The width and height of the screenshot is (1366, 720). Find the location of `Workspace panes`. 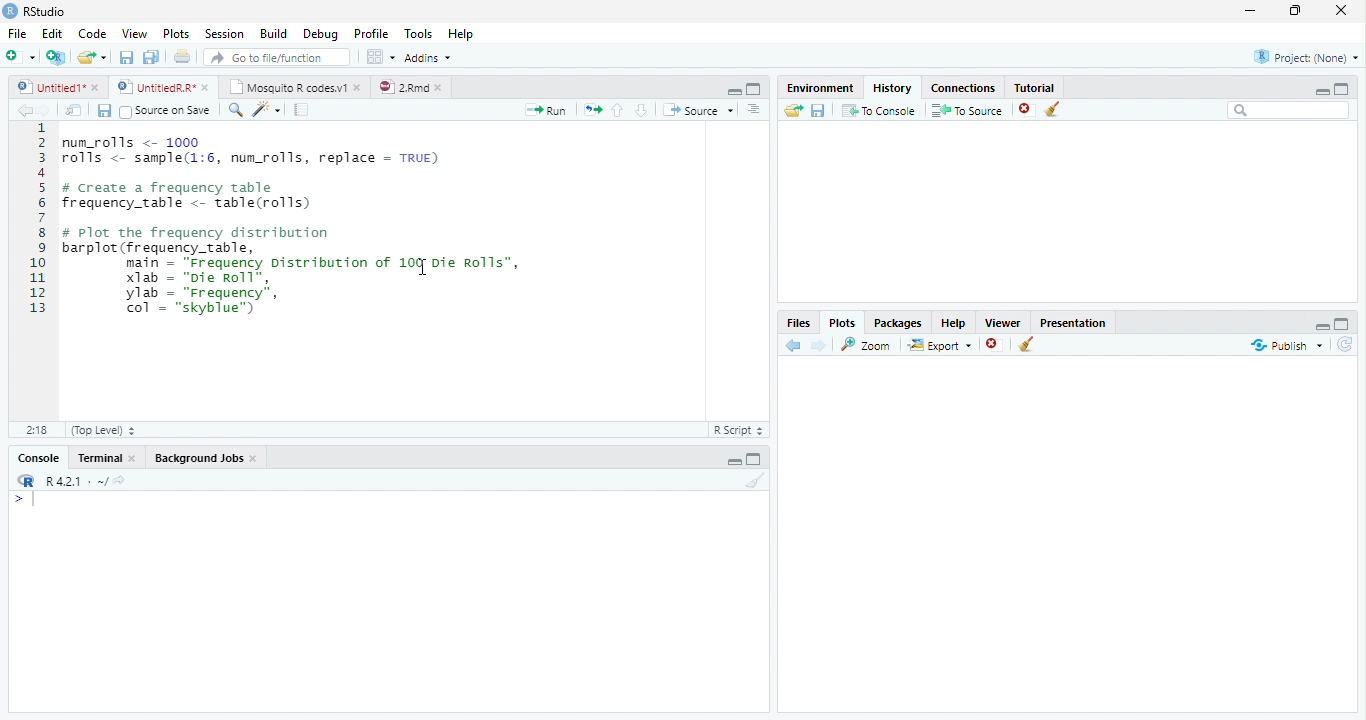

Workspace panes is located at coordinates (379, 57).